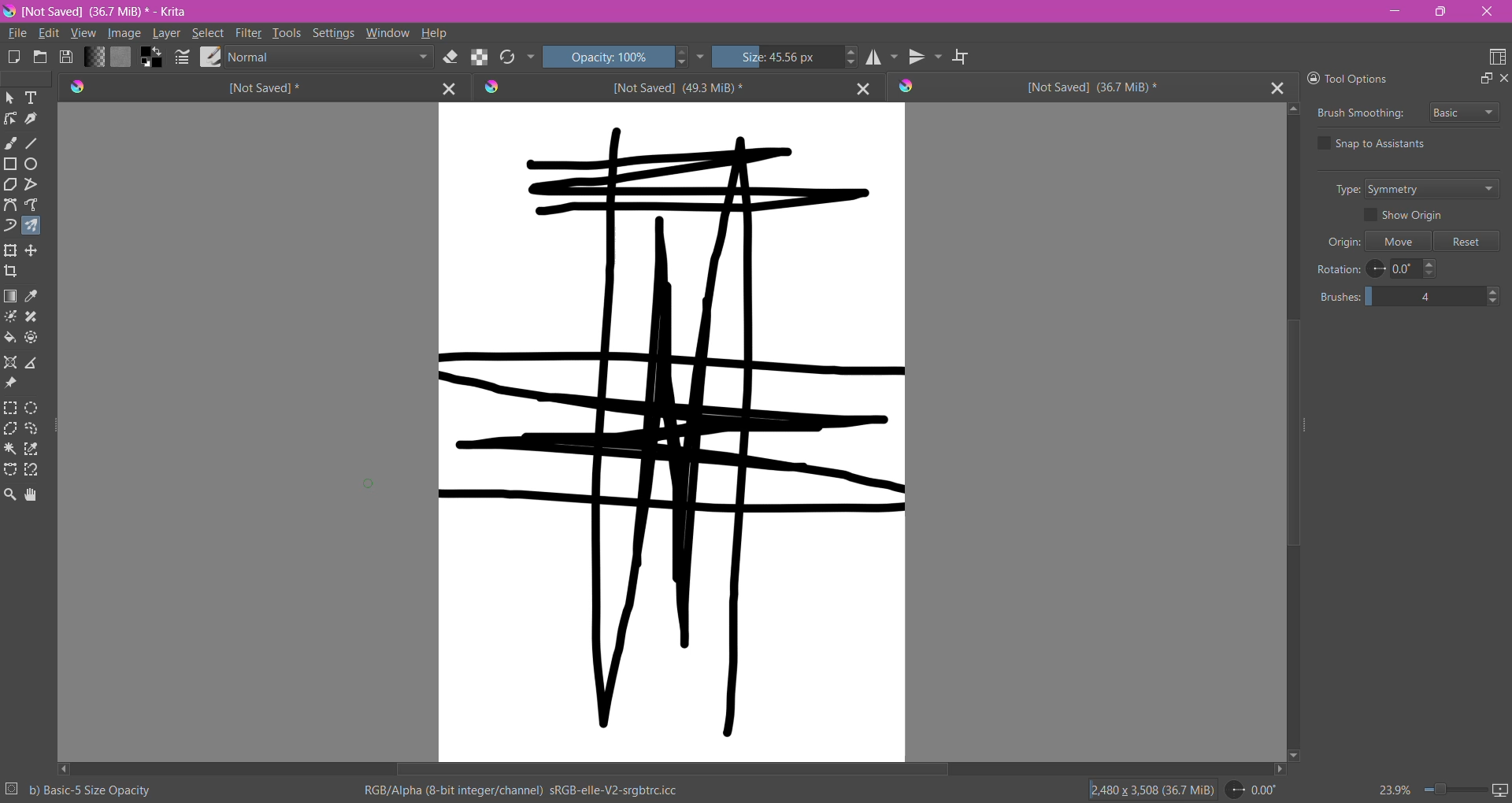 The height and width of the screenshot is (803, 1512). I want to click on Edit, so click(48, 33).